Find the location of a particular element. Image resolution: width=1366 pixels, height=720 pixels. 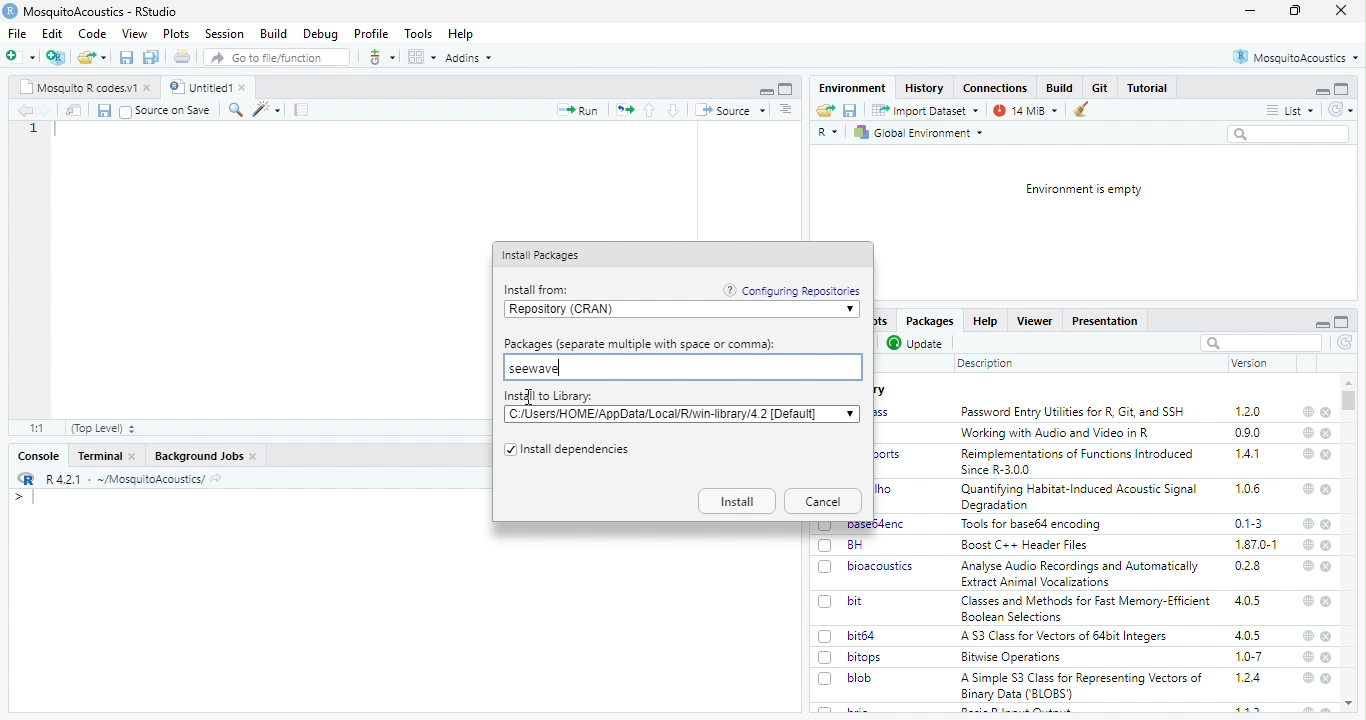

maximise is located at coordinates (1295, 10).